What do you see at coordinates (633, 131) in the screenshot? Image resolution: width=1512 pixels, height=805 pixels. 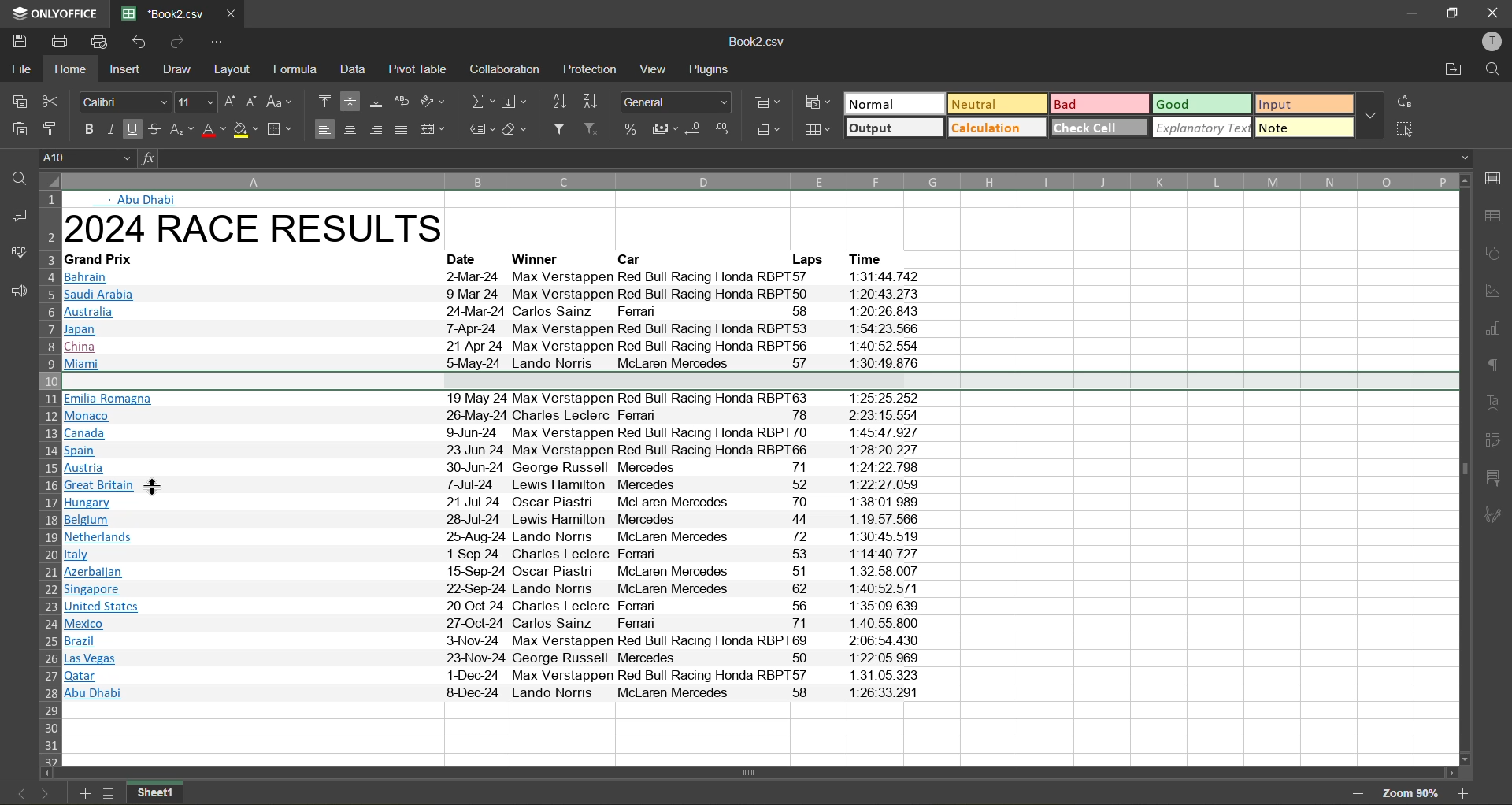 I see `percent` at bounding box center [633, 131].